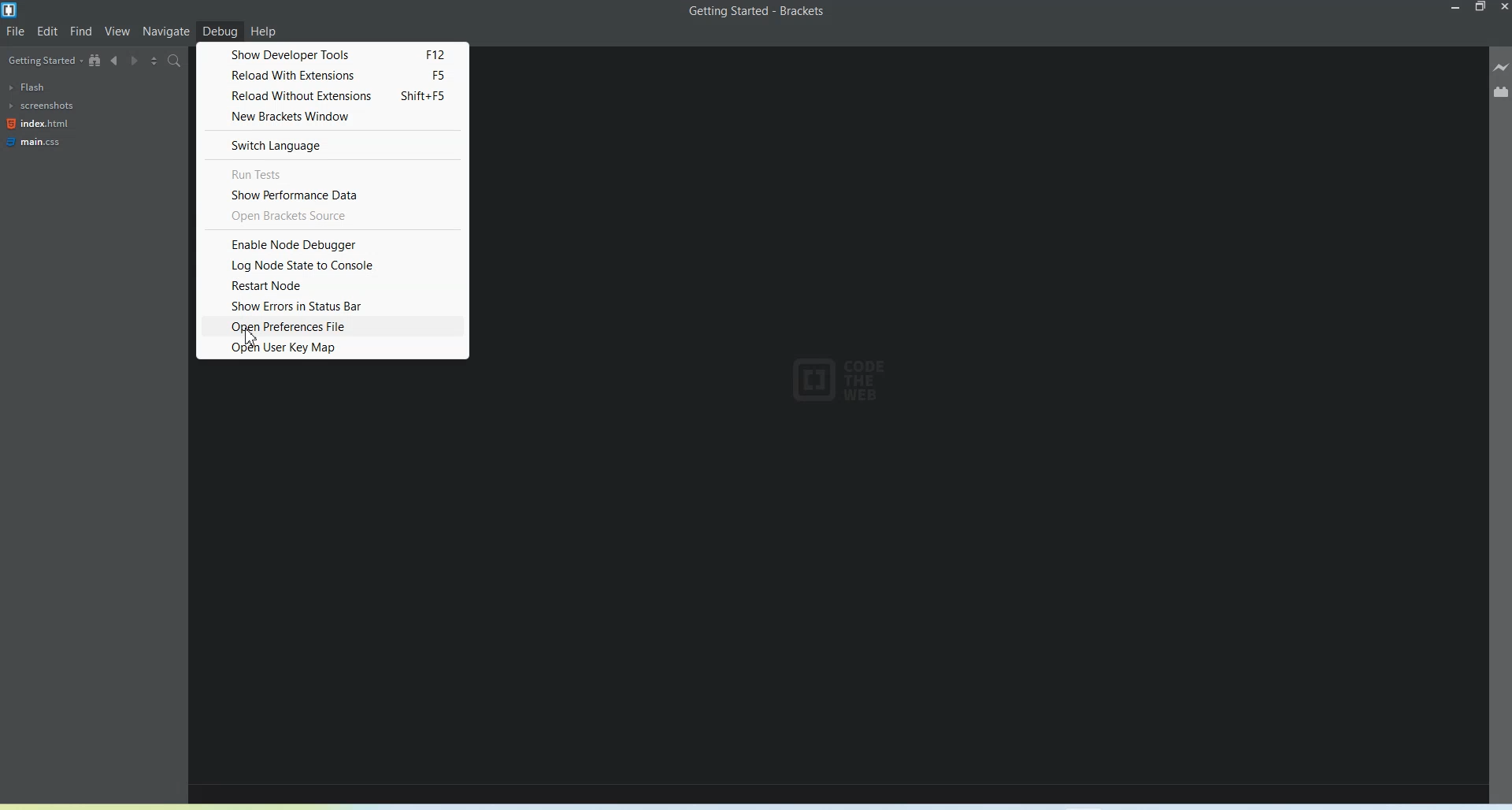 The height and width of the screenshot is (810, 1512). What do you see at coordinates (135, 61) in the screenshot?
I see `Navigate Forwards` at bounding box center [135, 61].